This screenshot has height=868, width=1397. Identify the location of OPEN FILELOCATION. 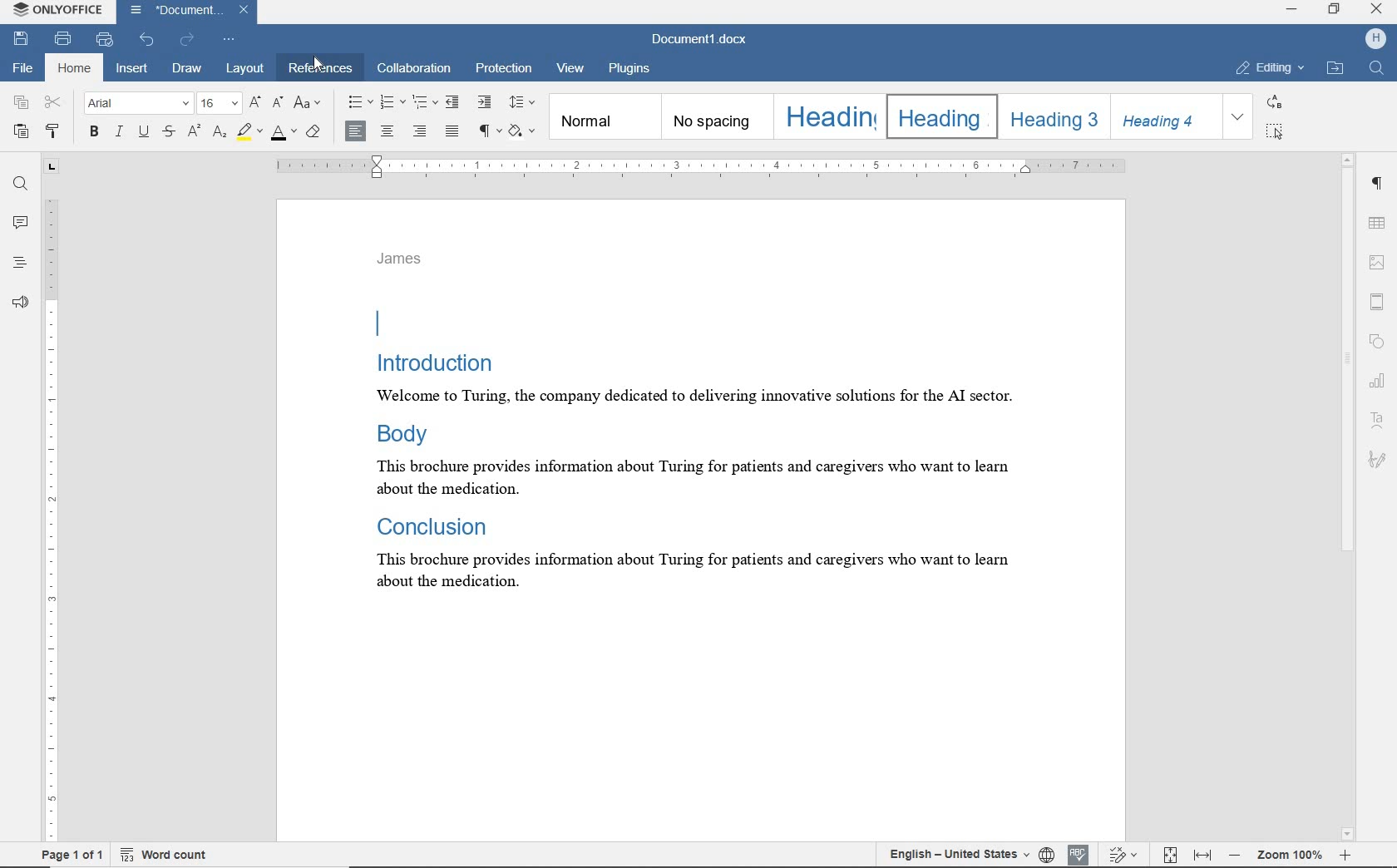
(1333, 69).